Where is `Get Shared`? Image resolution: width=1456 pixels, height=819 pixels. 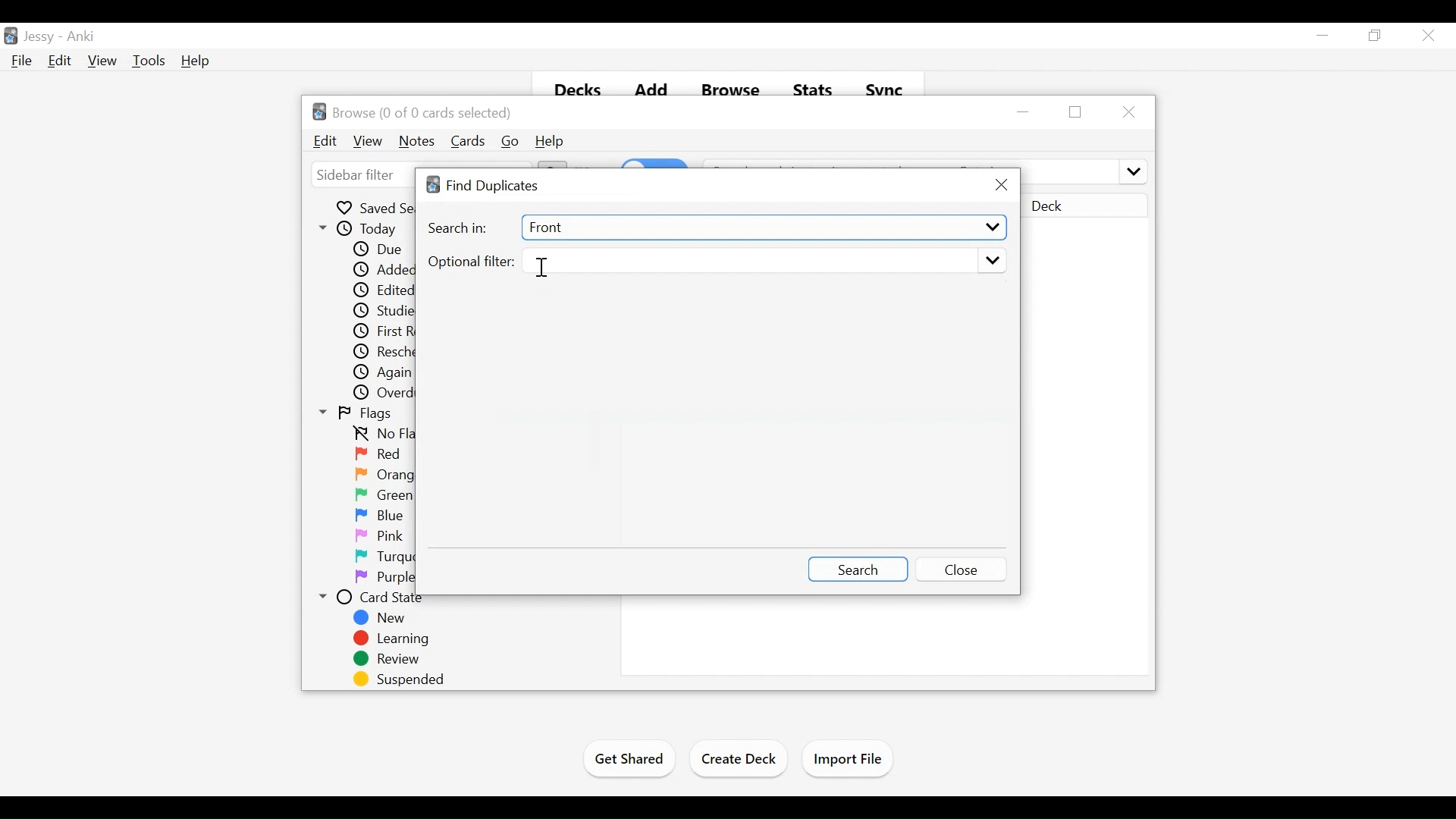 Get Shared is located at coordinates (627, 761).